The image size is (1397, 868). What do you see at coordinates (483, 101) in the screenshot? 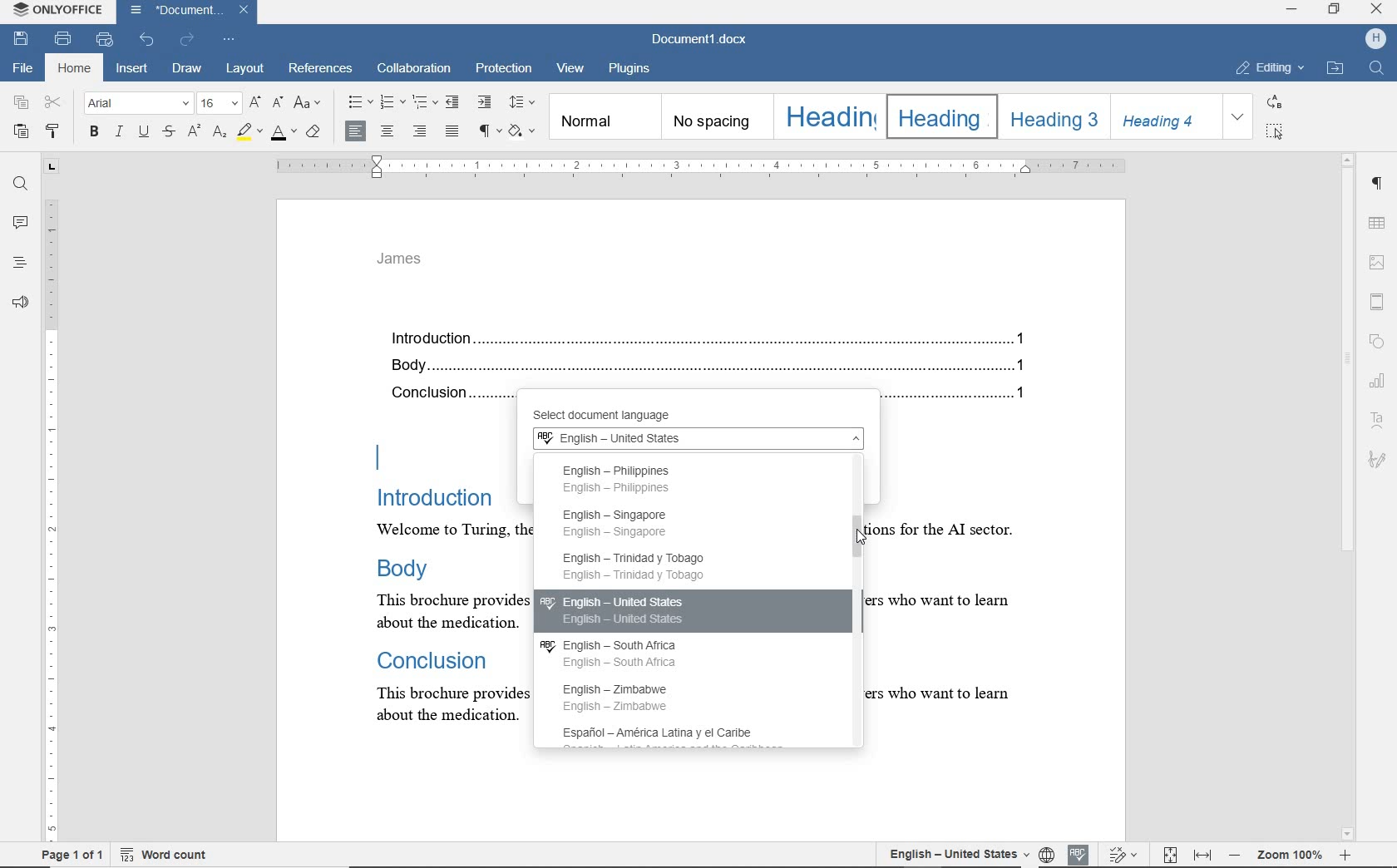
I see `increase indent` at bounding box center [483, 101].